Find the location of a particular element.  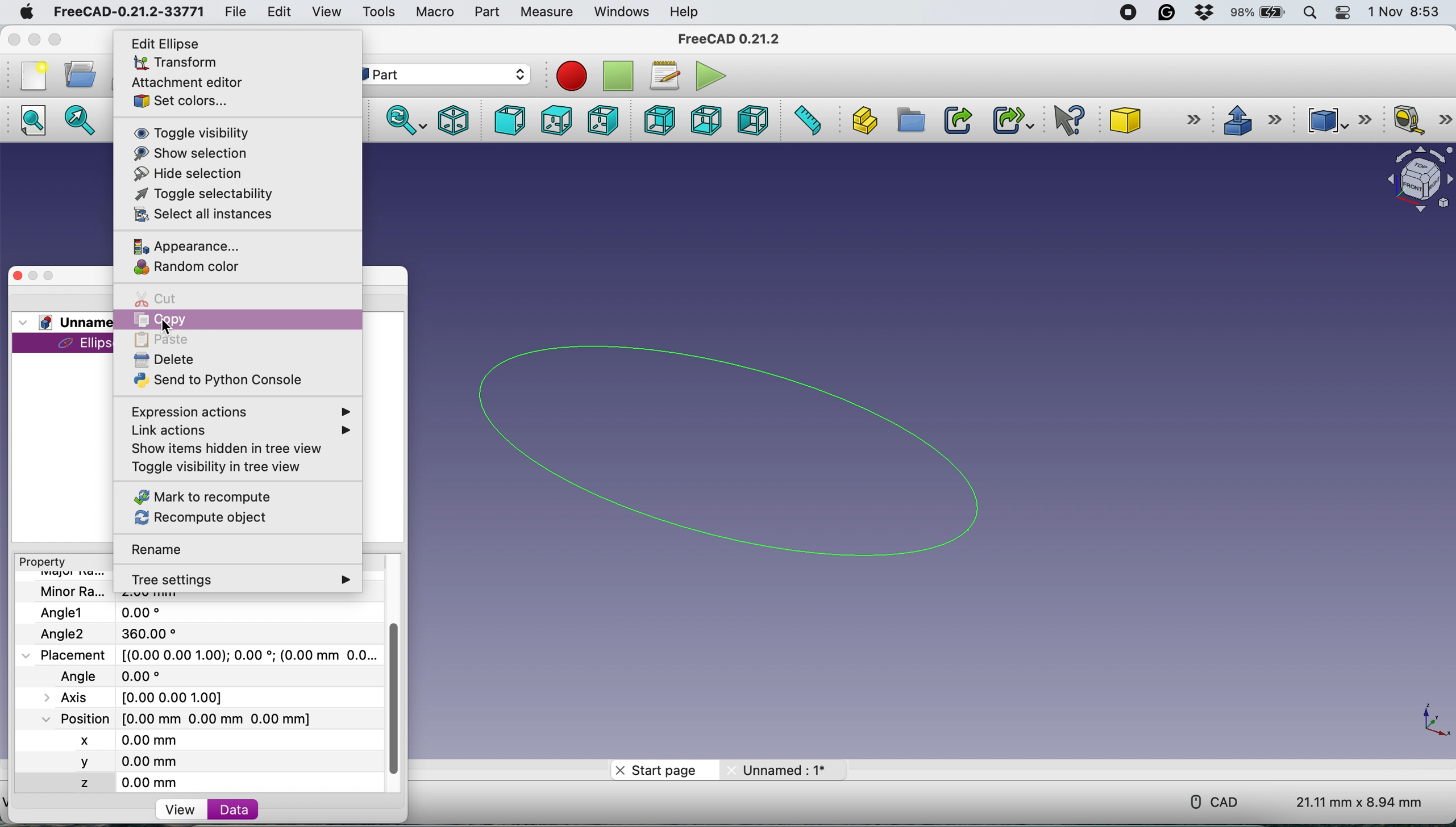

create group is located at coordinates (911, 123).